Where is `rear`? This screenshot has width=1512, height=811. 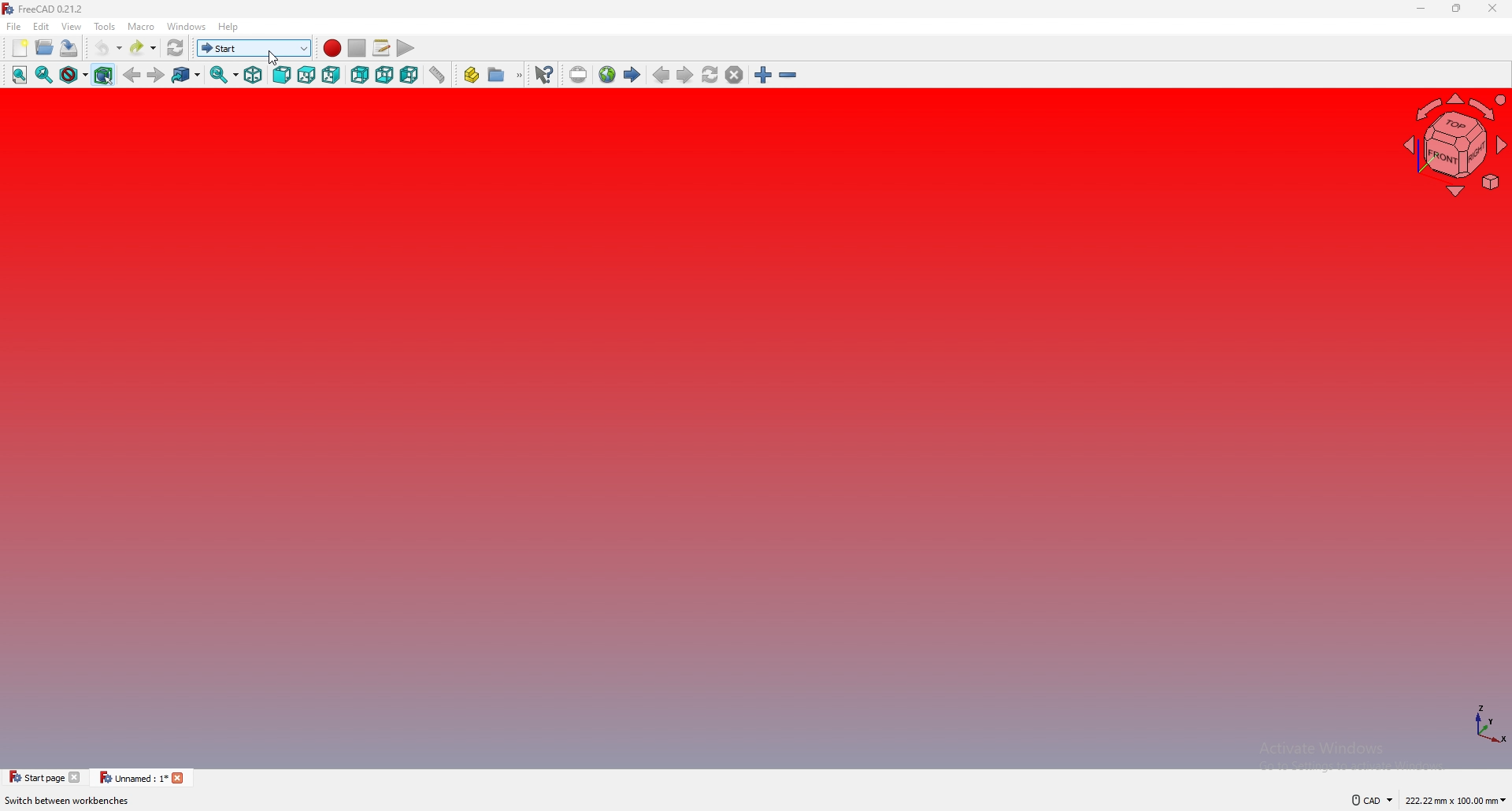
rear is located at coordinates (359, 75).